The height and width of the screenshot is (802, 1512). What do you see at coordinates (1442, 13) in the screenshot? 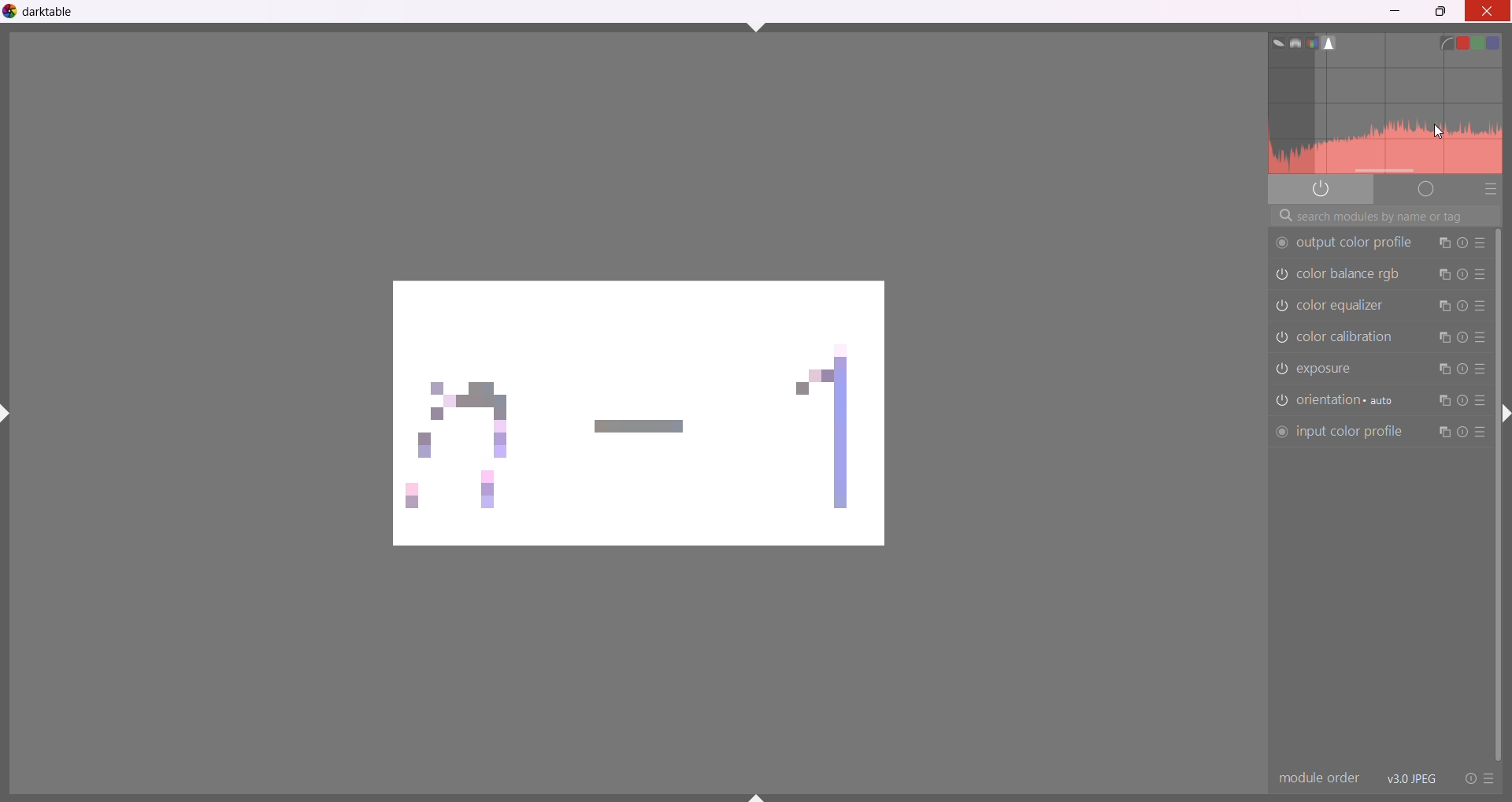
I see `maximize` at bounding box center [1442, 13].